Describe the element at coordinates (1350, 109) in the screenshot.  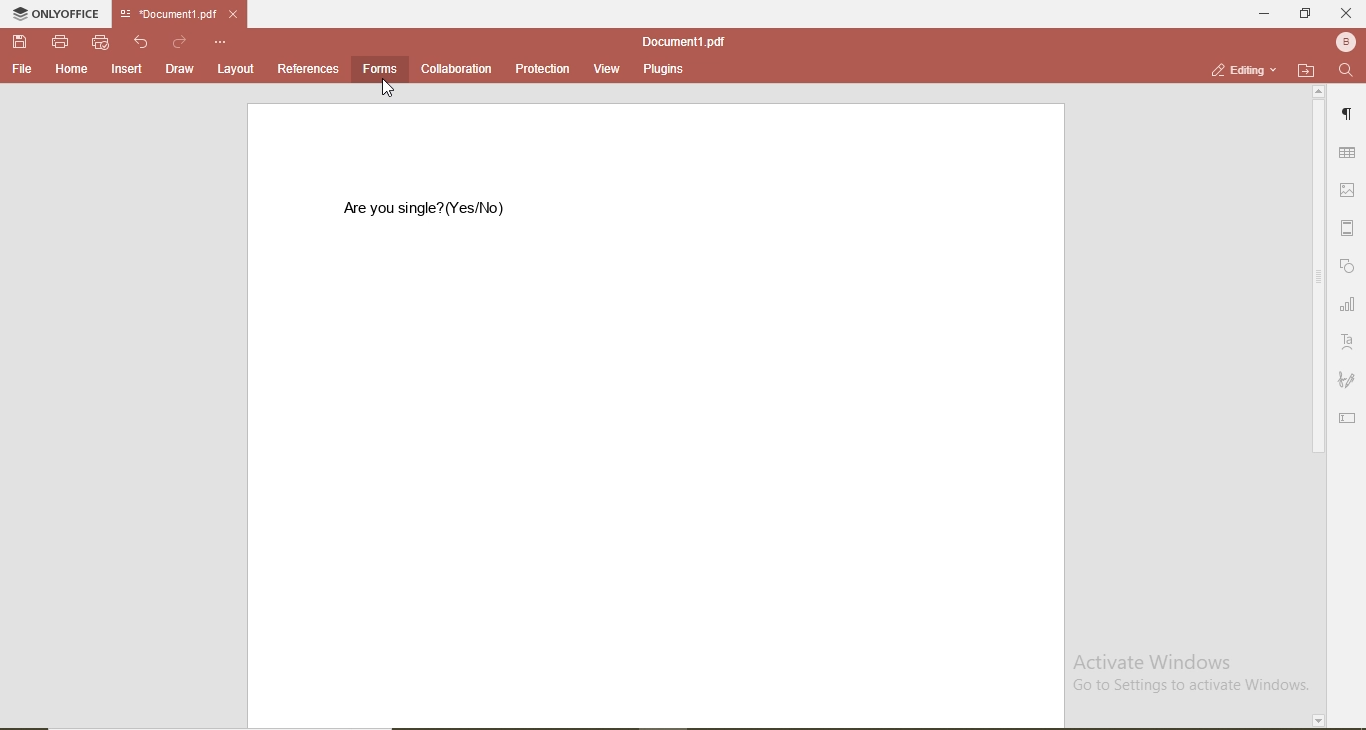
I see `paragraph` at that location.